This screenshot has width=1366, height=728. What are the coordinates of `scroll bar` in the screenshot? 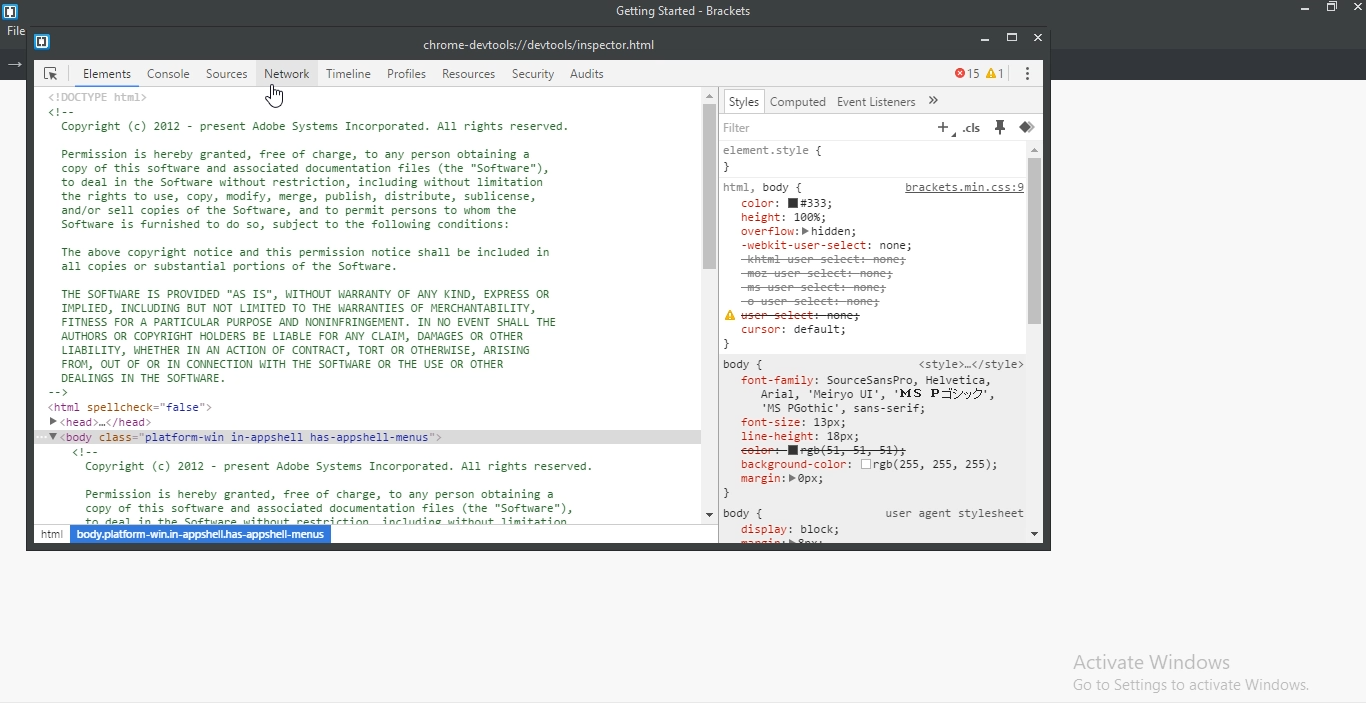 It's located at (710, 302).